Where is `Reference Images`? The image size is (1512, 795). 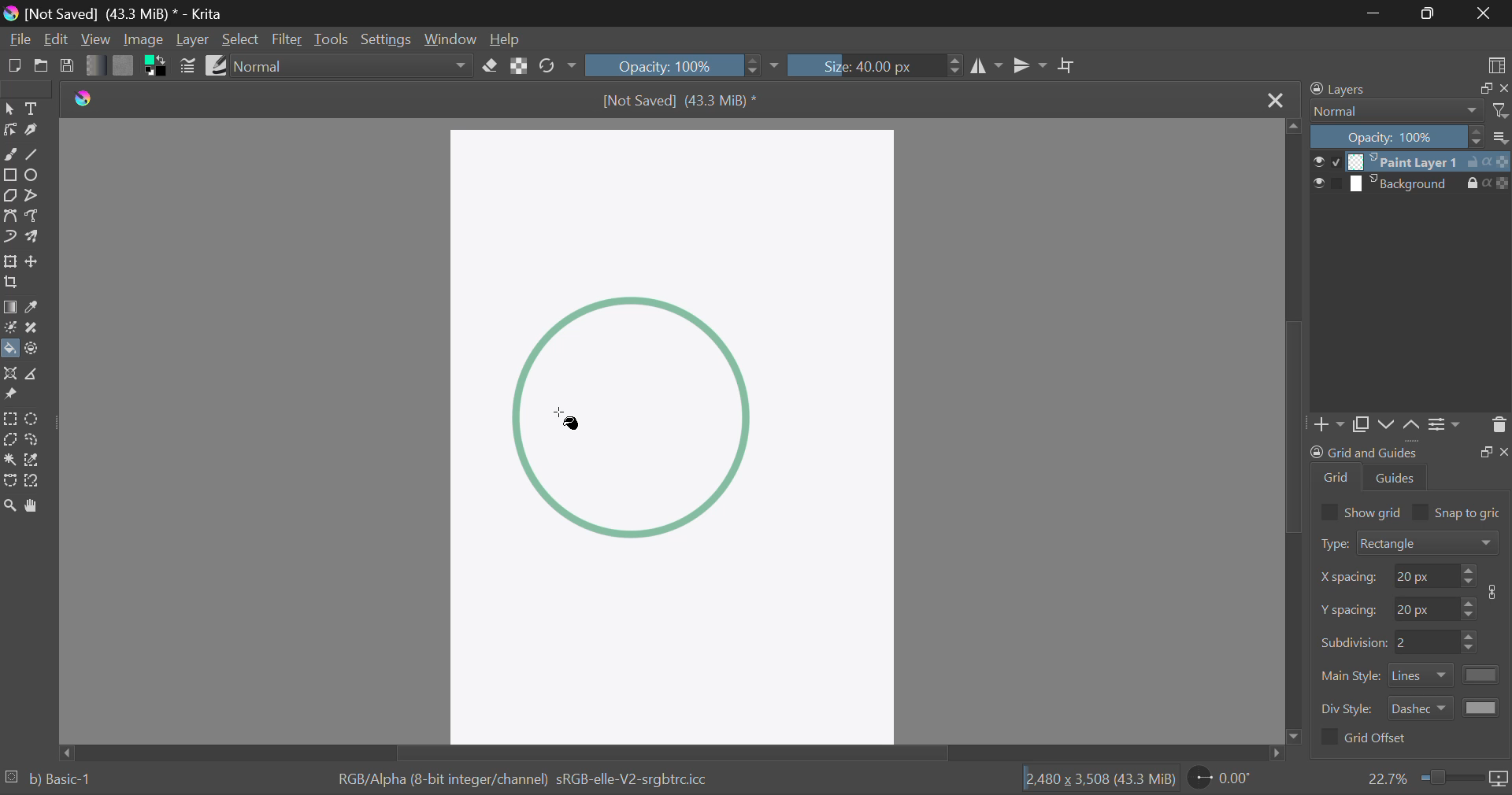
Reference Images is located at coordinates (9, 394).